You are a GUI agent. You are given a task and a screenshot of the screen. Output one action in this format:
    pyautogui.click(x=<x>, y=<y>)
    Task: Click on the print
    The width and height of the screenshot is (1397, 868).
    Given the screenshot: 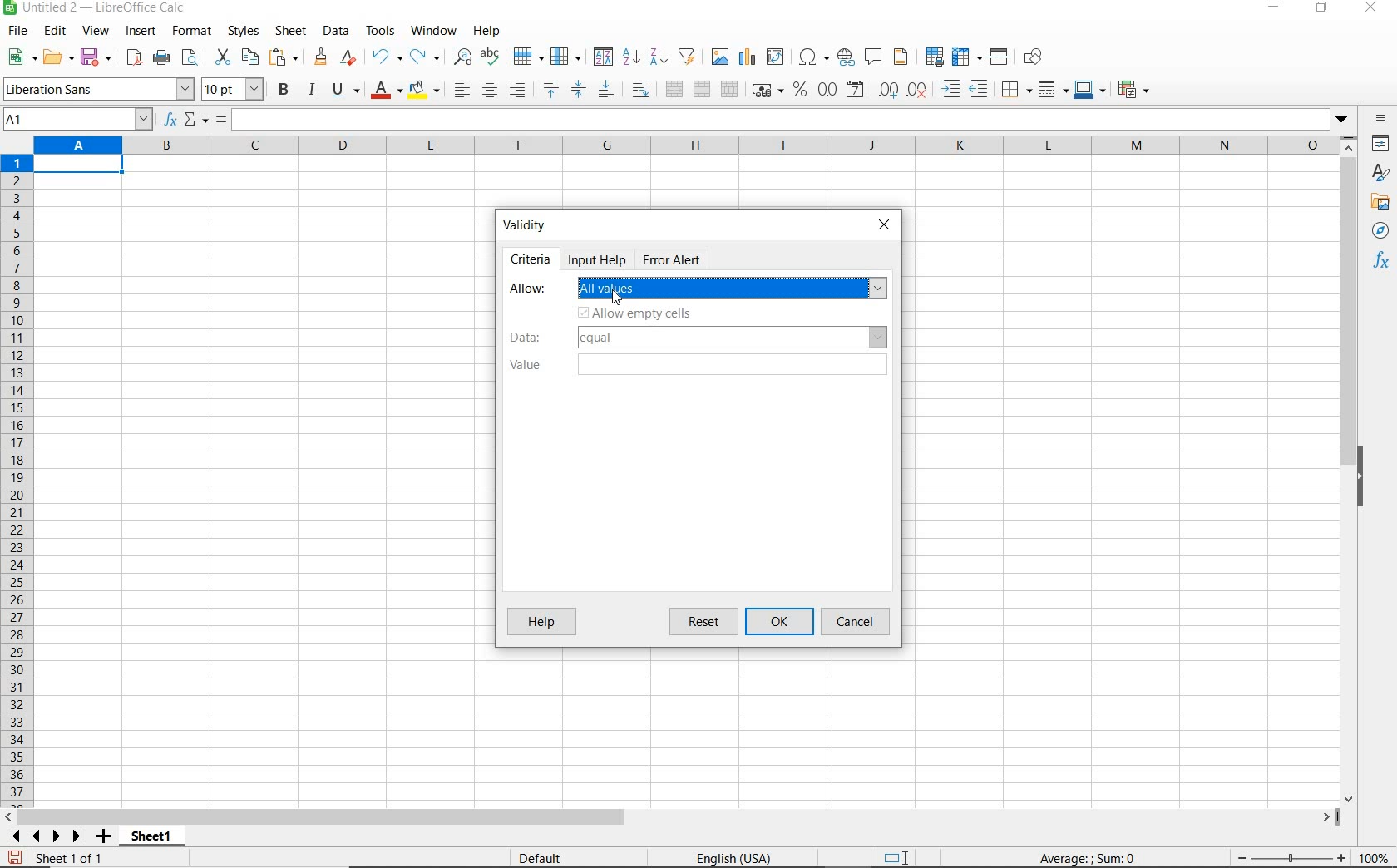 What is the action you would take?
    pyautogui.click(x=161, y=57)
    